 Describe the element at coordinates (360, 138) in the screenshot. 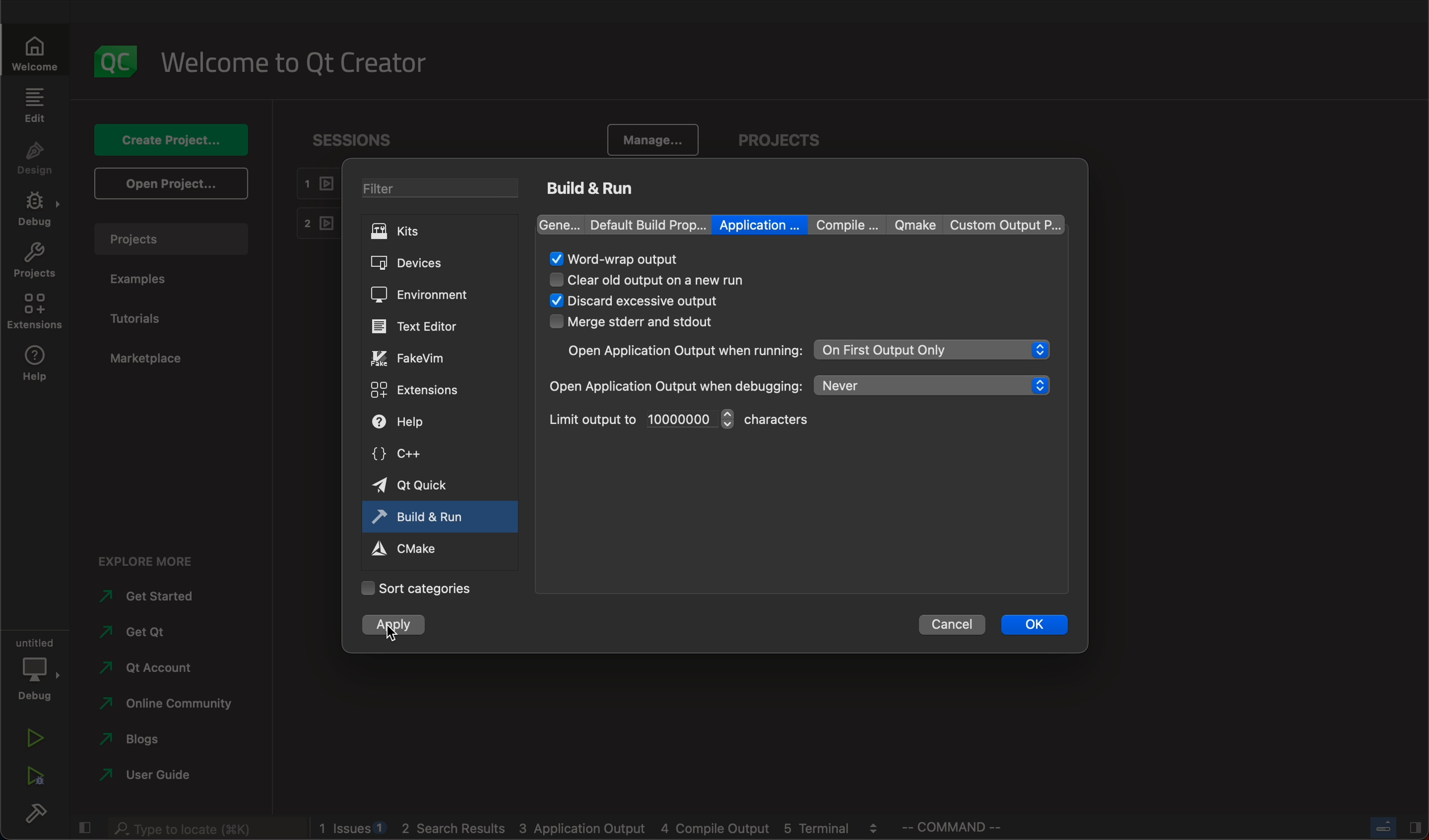

I see `sessions` at that location.